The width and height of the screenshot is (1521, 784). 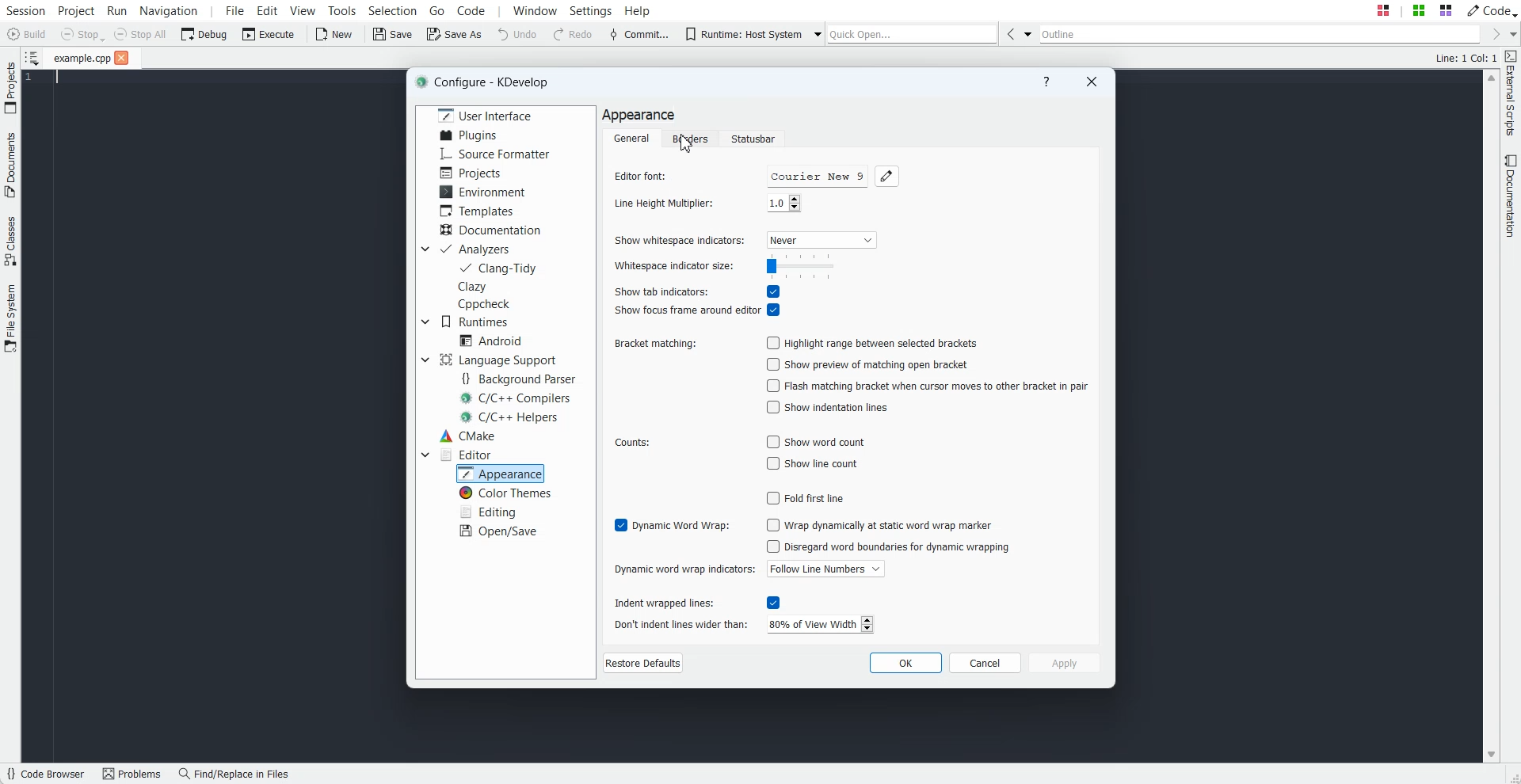 I want to click on Drop down box, so click(x=423, y=360).